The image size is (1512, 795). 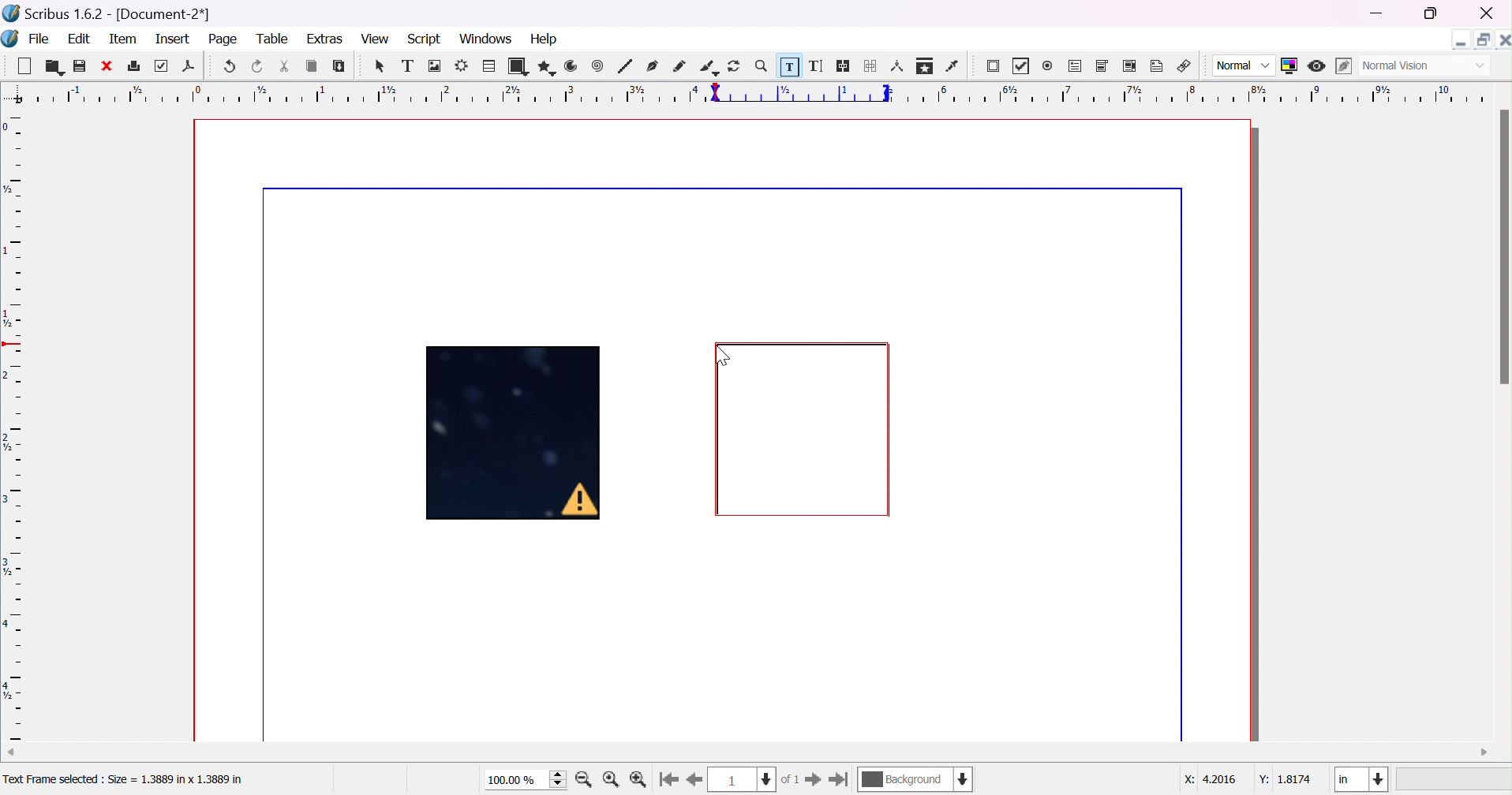 What do you see at coordinates (1380, 14) in the screenshot?
I see `minimize` at bounding box center [1380, 14].